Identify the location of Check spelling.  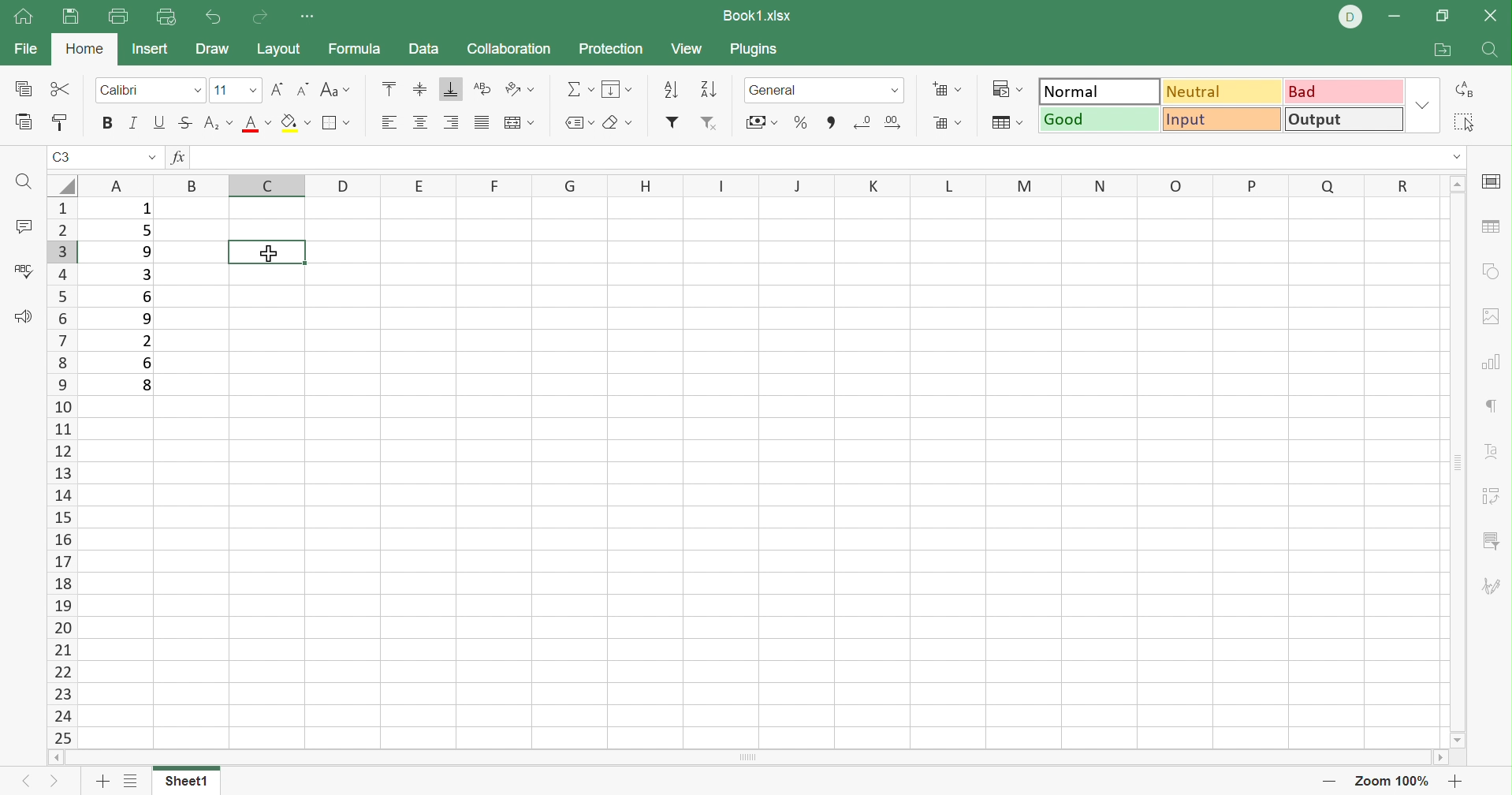
(24, 274).